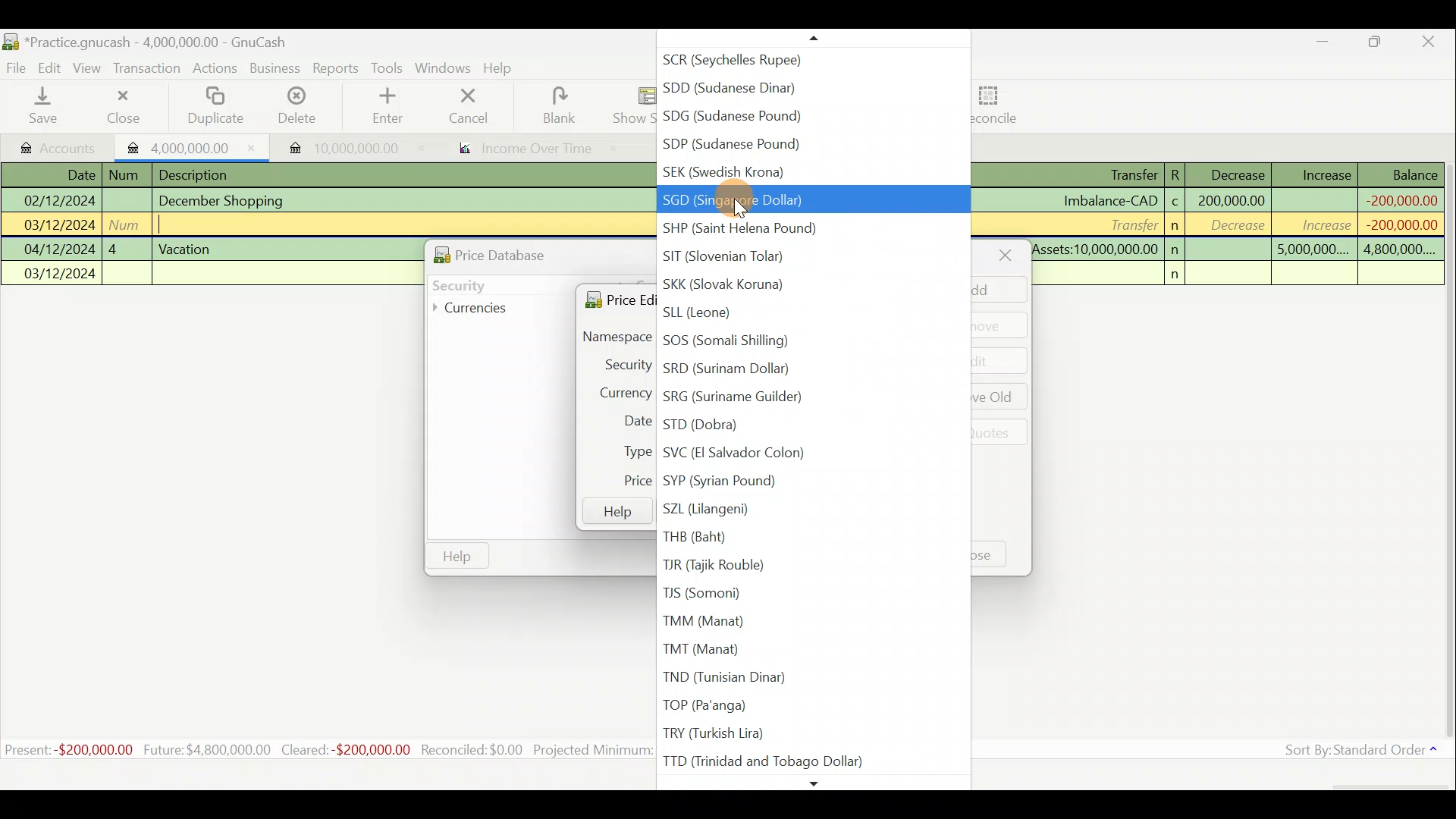 Image resolution: width=1456 pixels, height=819 pixels. I want to click on Close, so click(1433, 42).